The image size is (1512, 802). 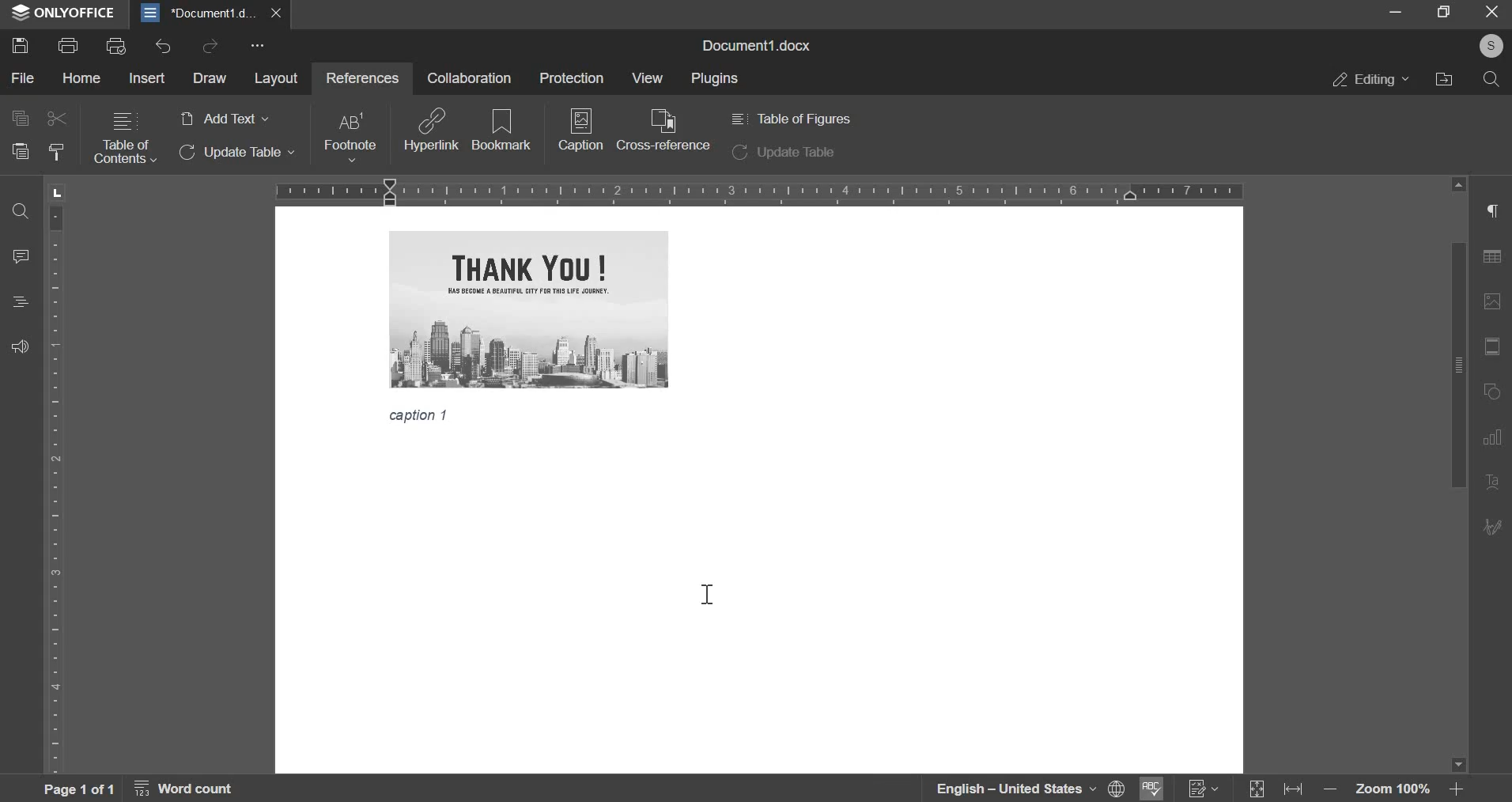 I want to click on right side menu, so click(x=1495, y=213).